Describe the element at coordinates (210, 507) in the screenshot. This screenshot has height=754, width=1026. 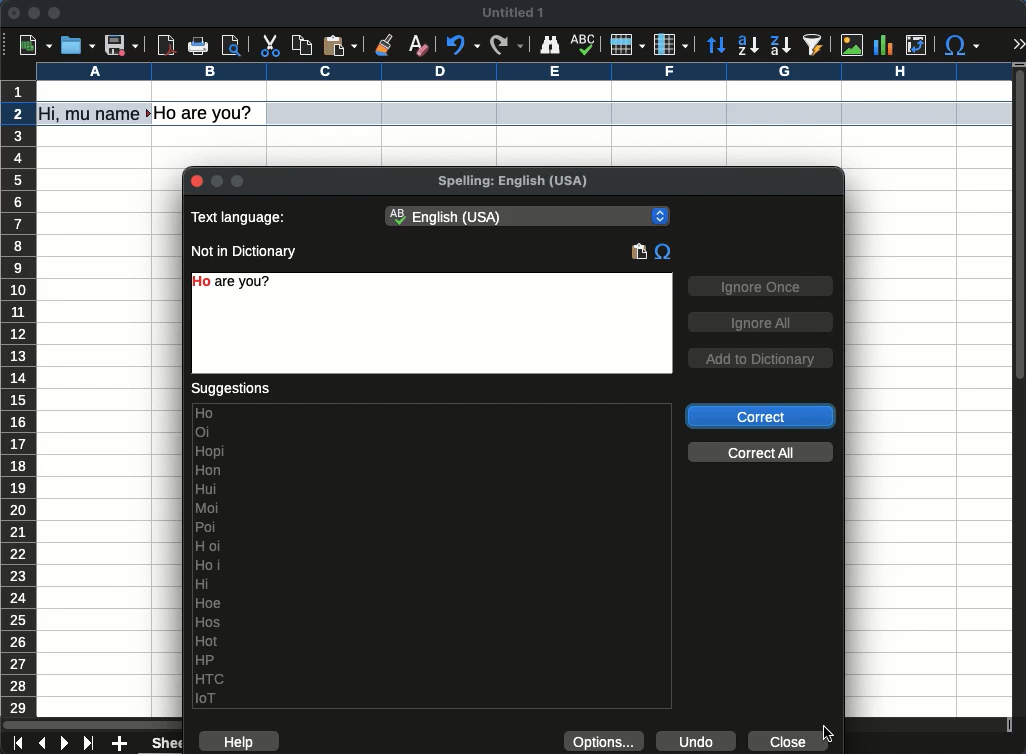
I see `Moi` at that location.